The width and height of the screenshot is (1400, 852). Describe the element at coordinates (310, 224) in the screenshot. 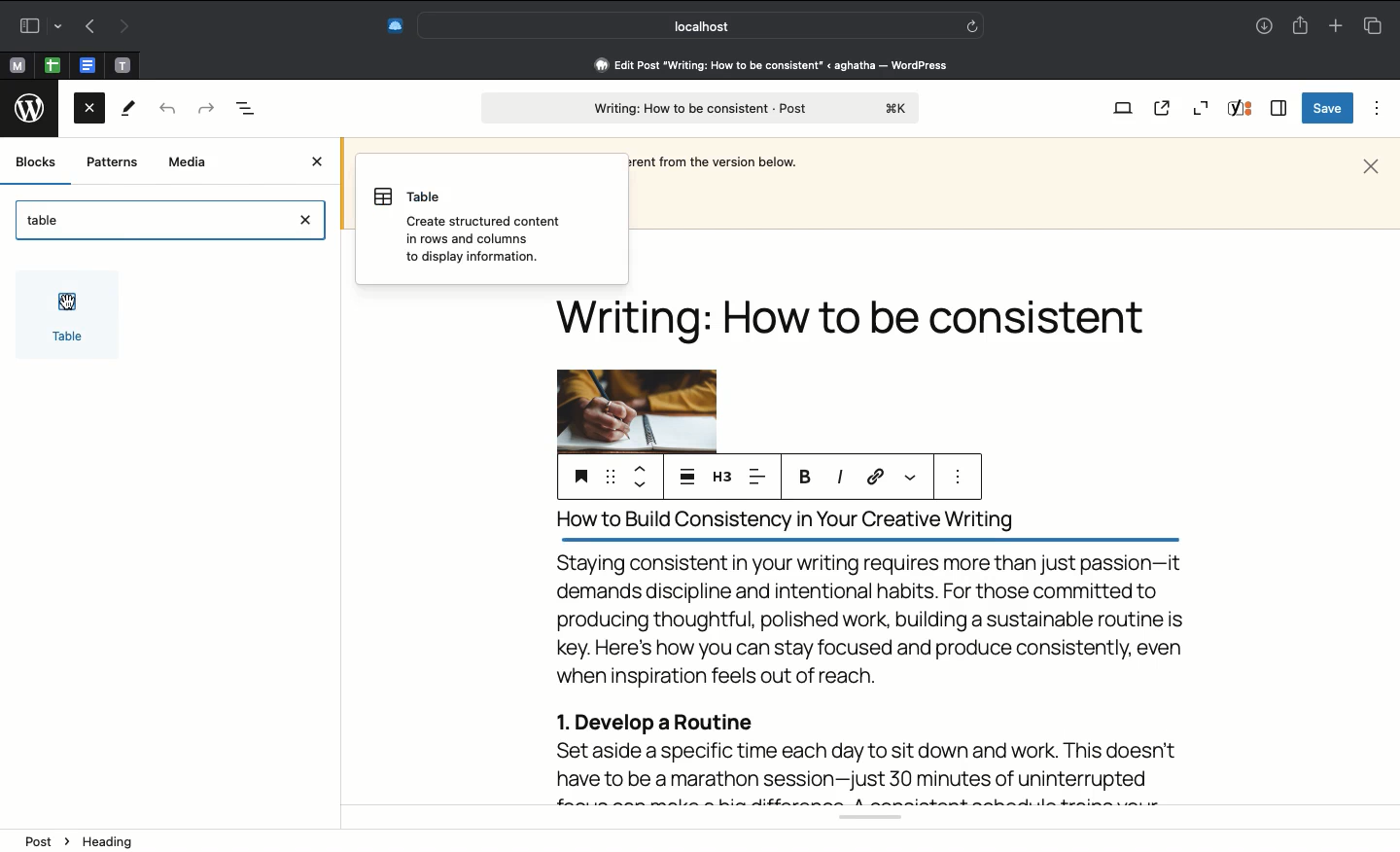

I see `close` at that location.